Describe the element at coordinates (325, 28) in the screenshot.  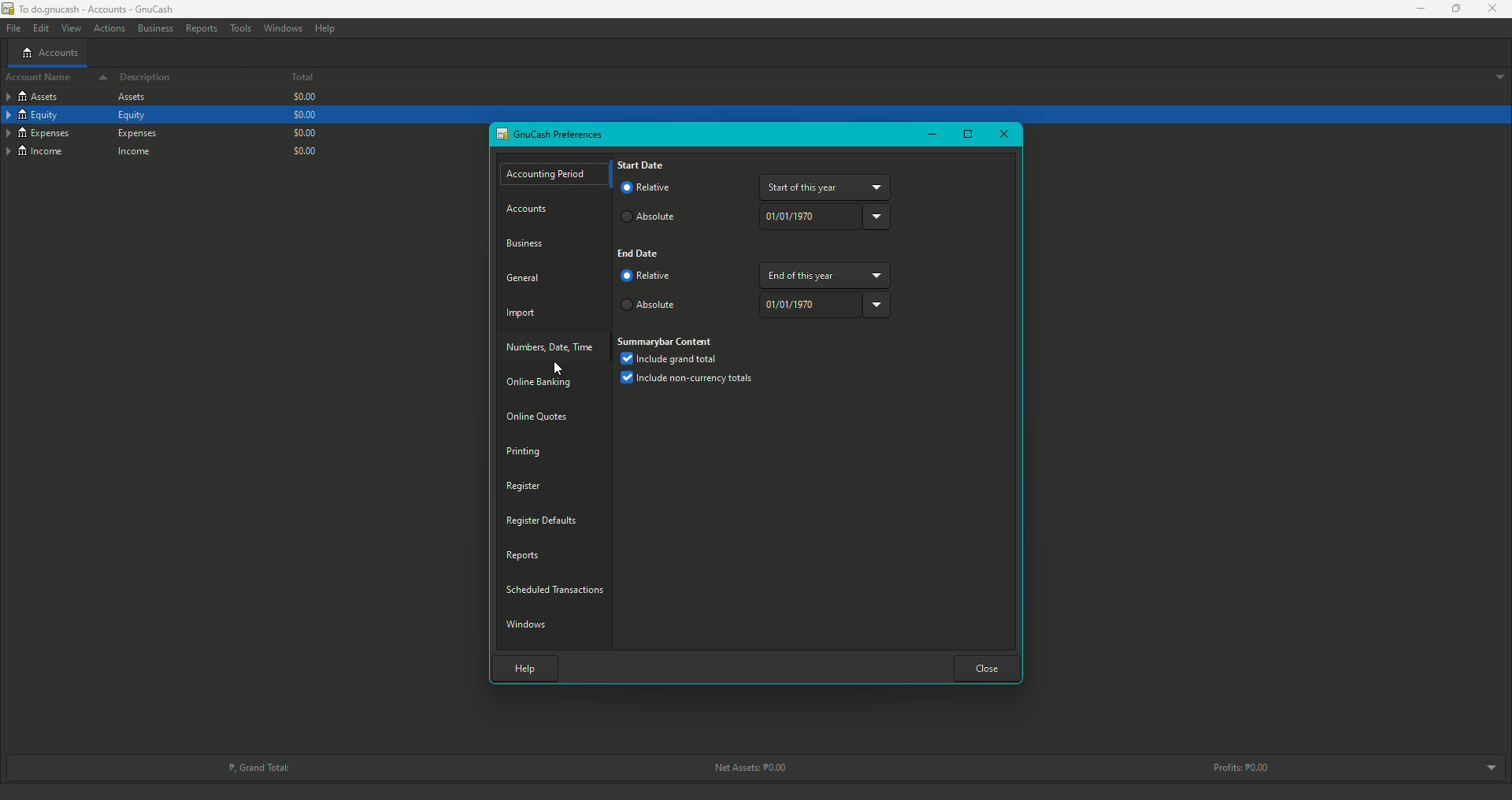
I see `Help` at that location.